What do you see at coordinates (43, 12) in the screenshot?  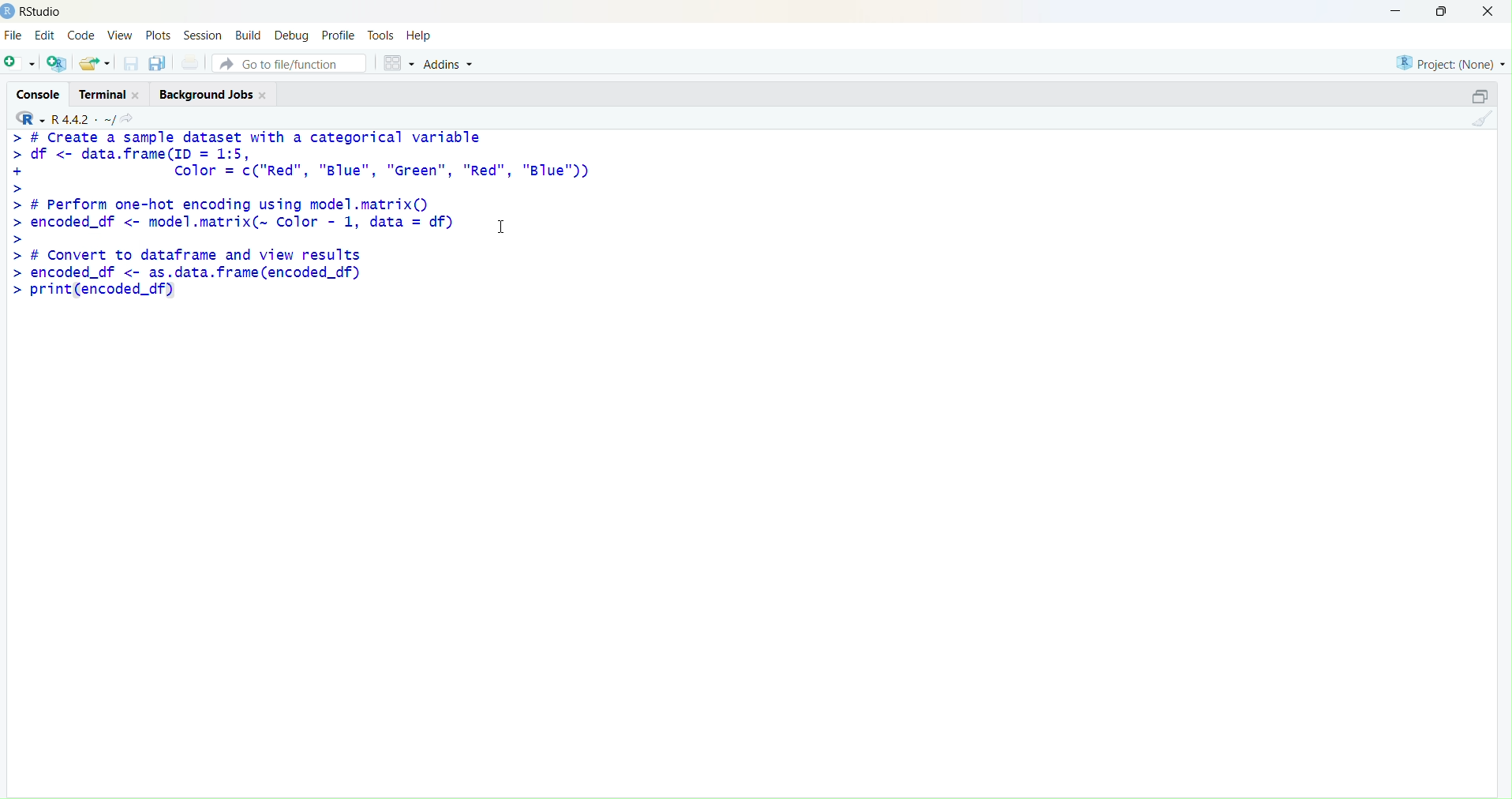 I see `RStudio` at bounding box center [43, 12].